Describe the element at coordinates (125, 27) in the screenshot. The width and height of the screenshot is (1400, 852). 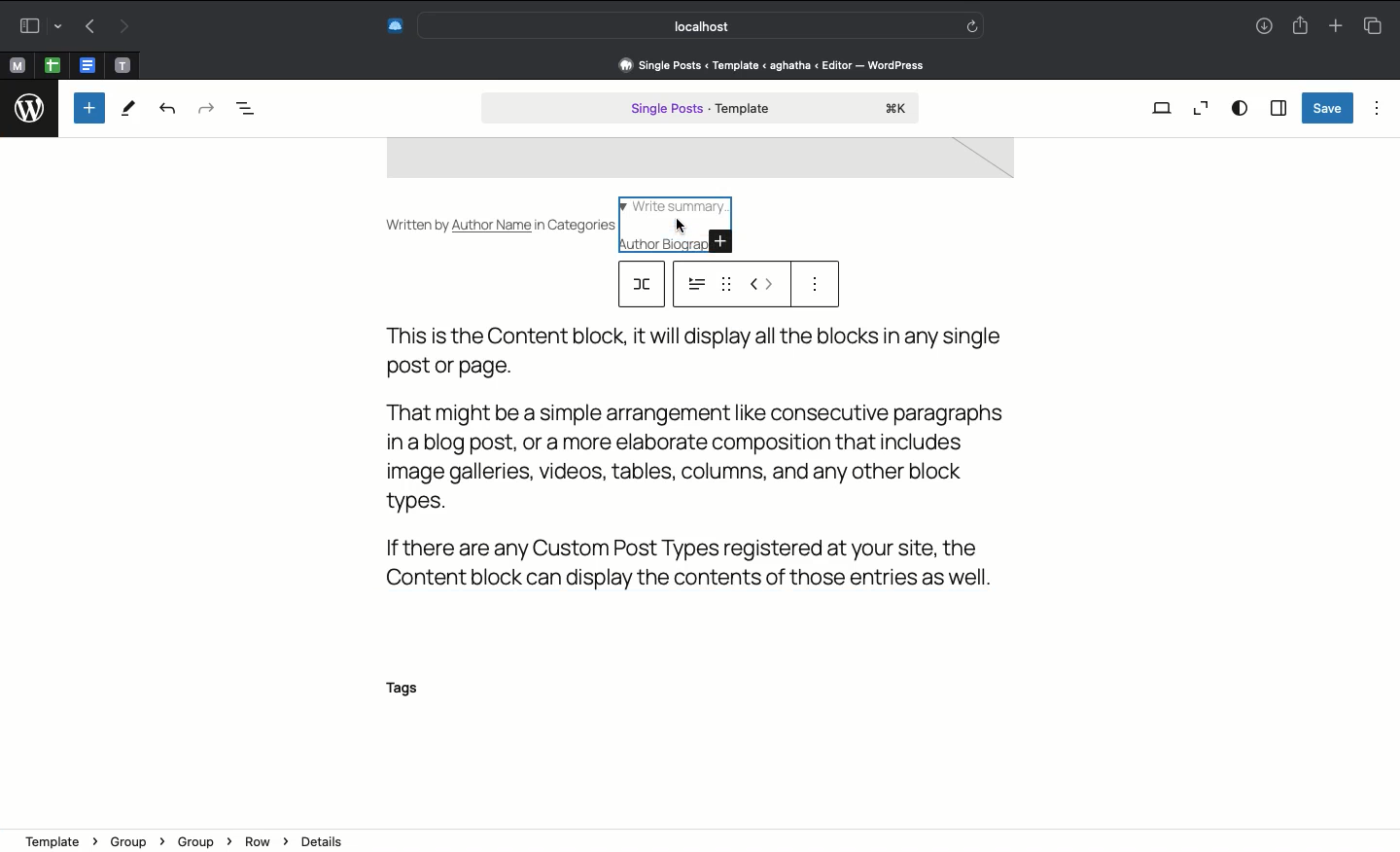
I see `Forward` at that location.